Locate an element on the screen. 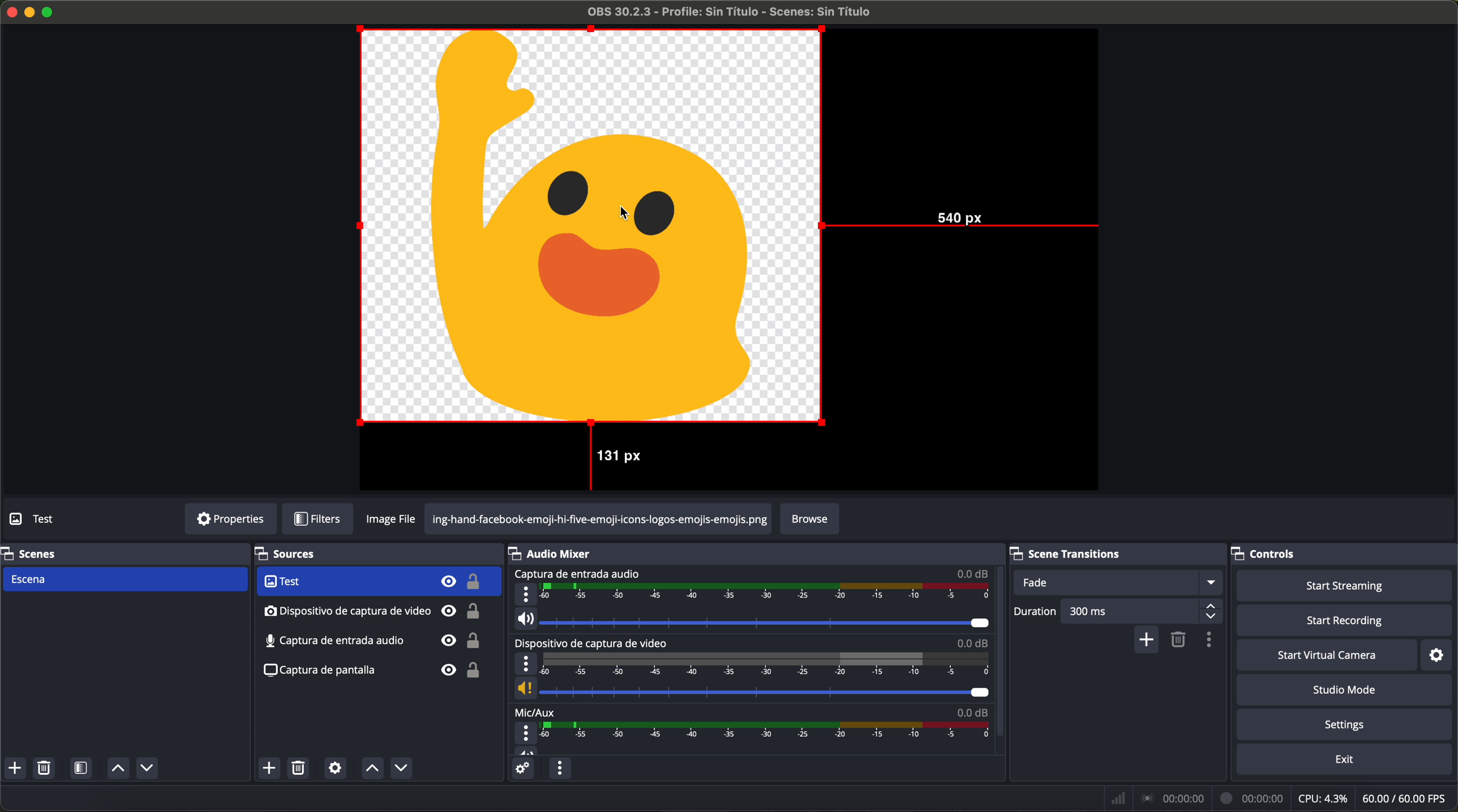 The height and width of the screenshot is (812, 1458). audio mixer menu is located at coordinates (559, 768).